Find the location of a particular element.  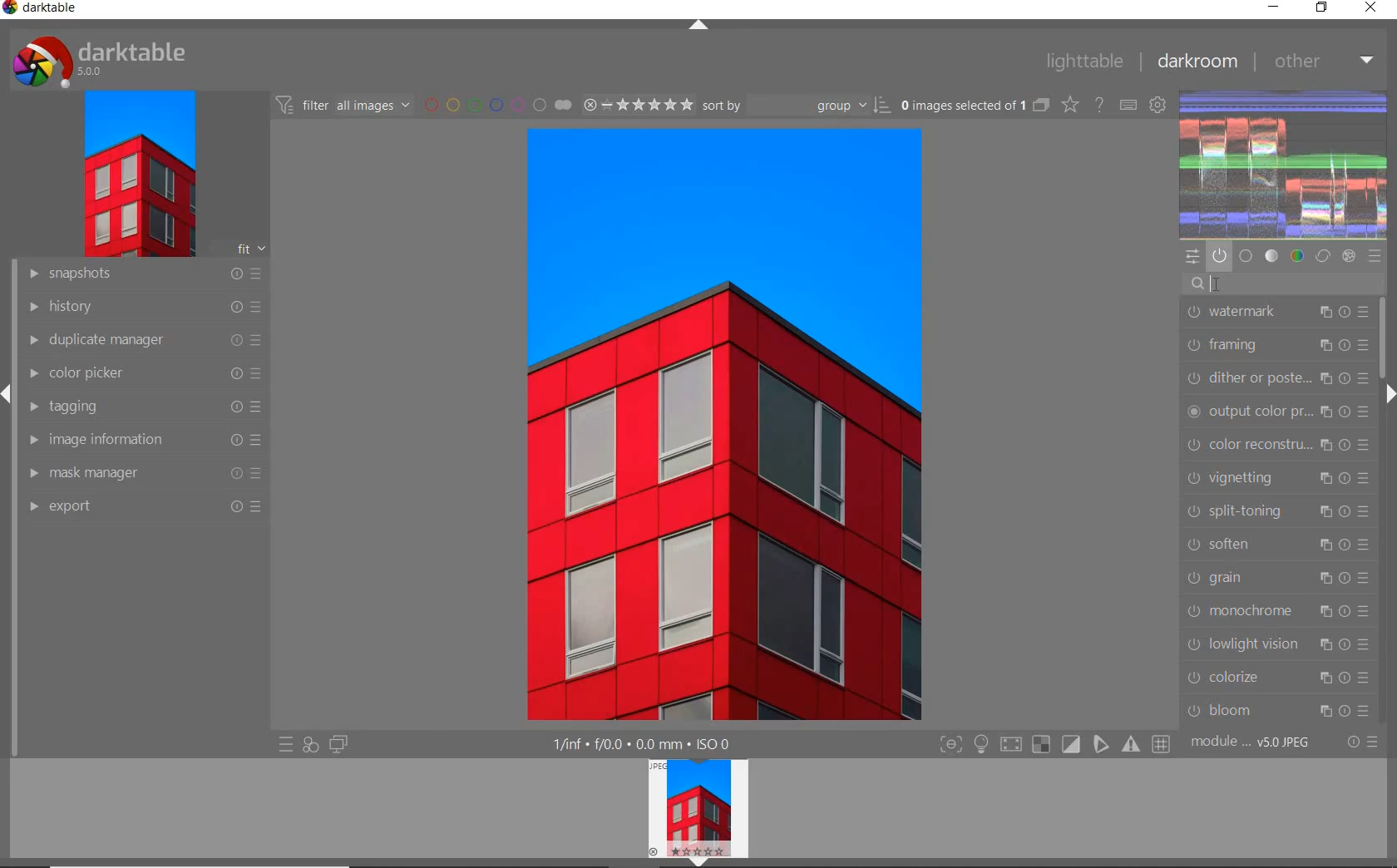

other is located at coordinates (1324, 60).